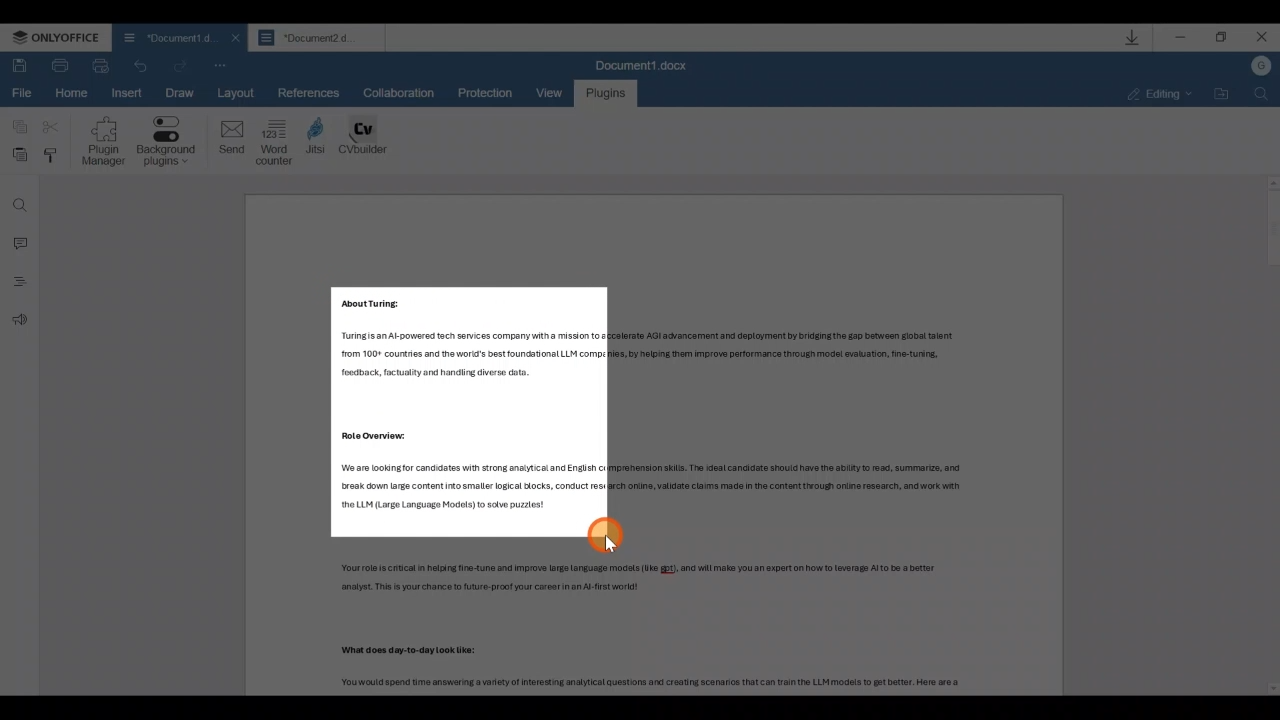 The width and height of the screenshot is (1280, 720). What do you see at coordinates (18, 243) in the screenshot?
I see `Comment` at bounding box center [18, 243].